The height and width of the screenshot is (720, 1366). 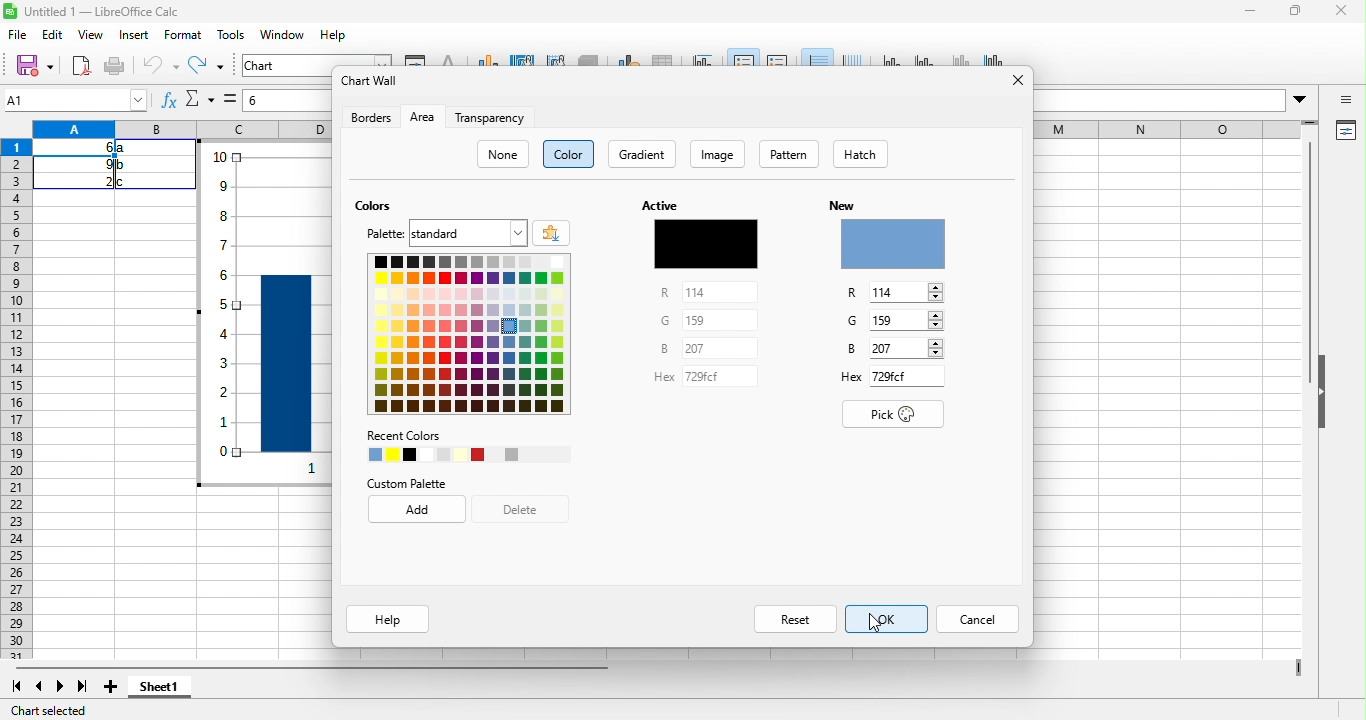 What do you see at coordinates (895, 418) in the screenshot?
I see `pick` at bounding box center [895, 418].